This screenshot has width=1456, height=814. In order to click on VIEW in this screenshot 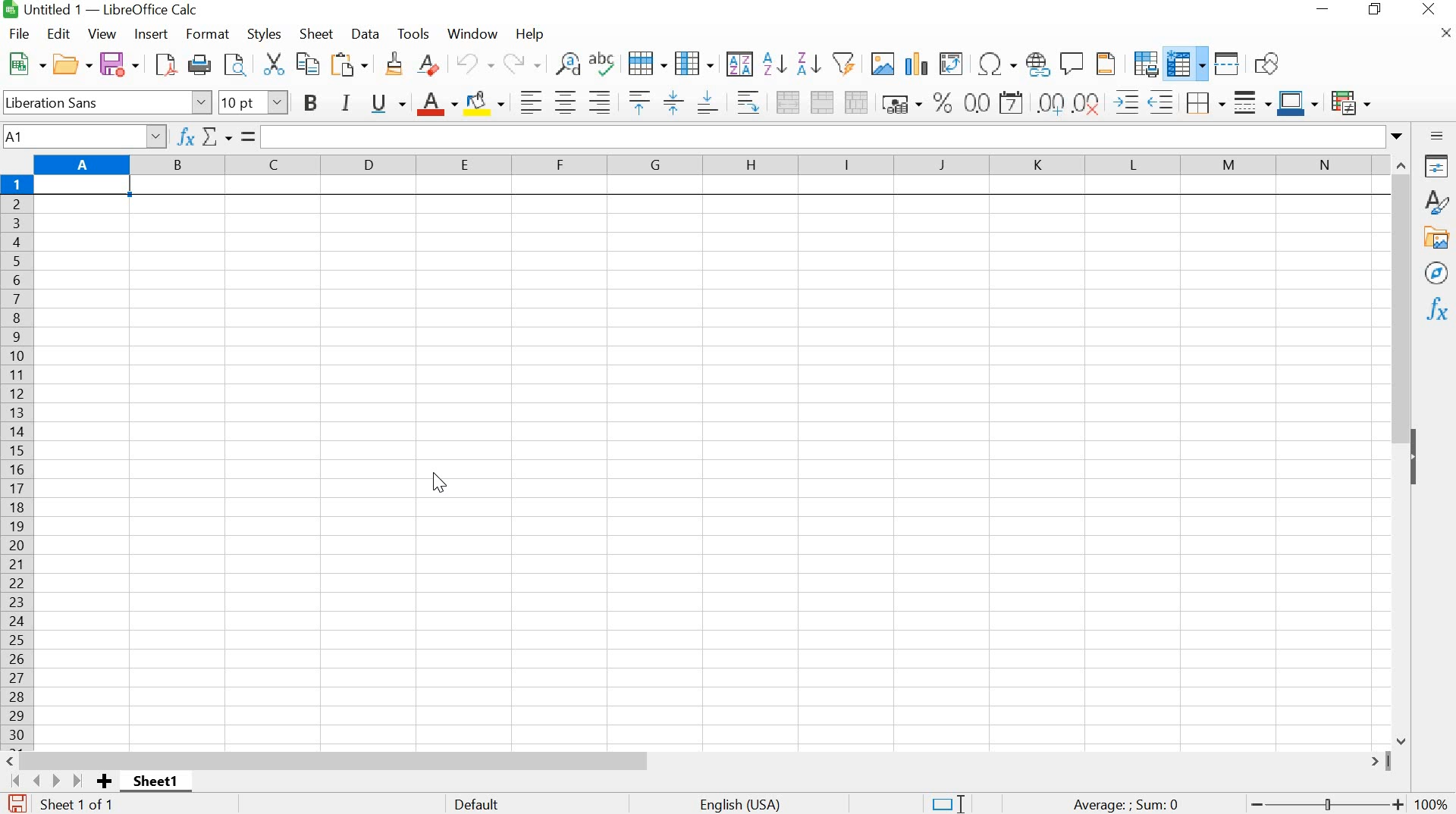, I will do `click(103, 33)`.